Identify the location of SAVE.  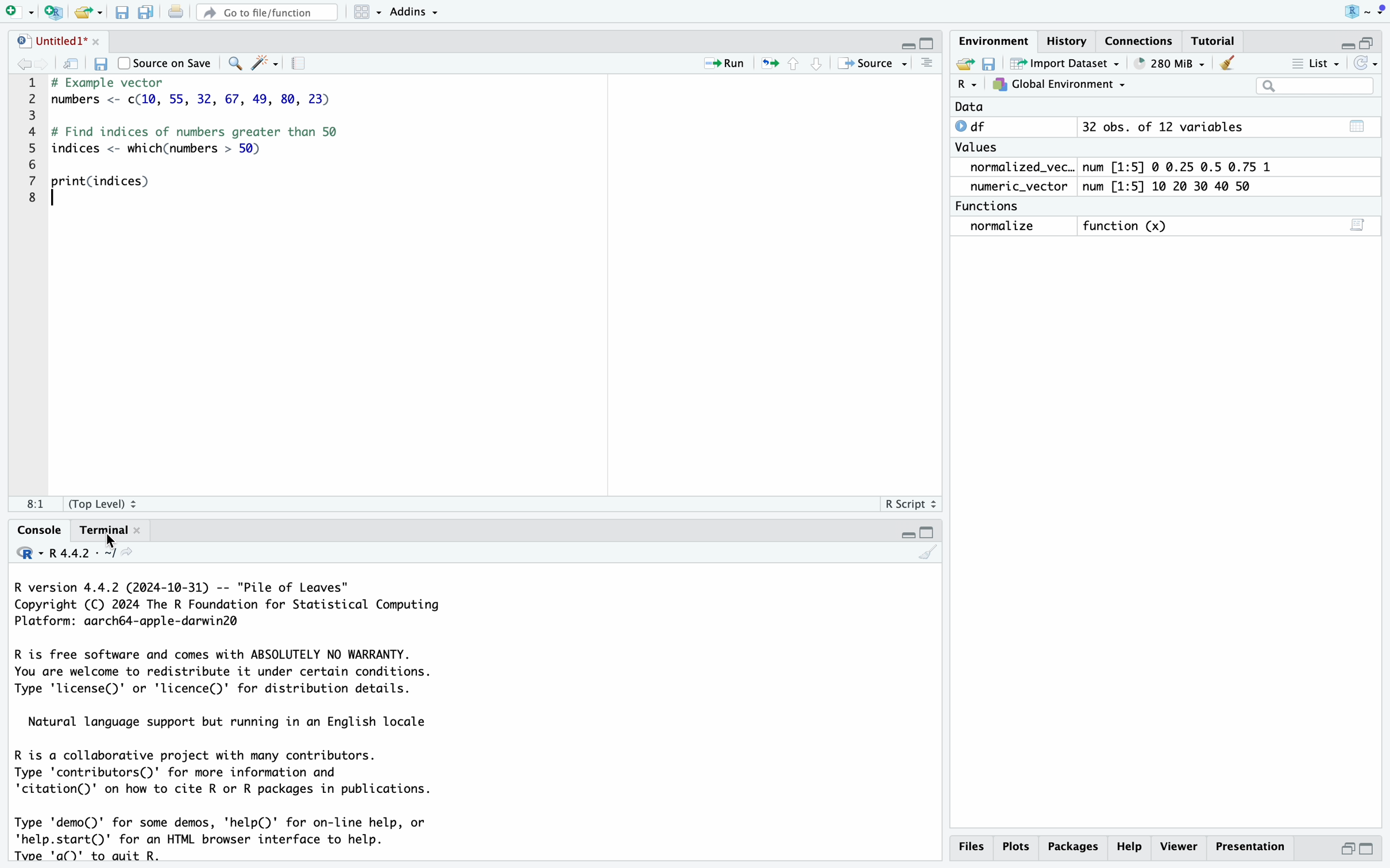
(989, 64).